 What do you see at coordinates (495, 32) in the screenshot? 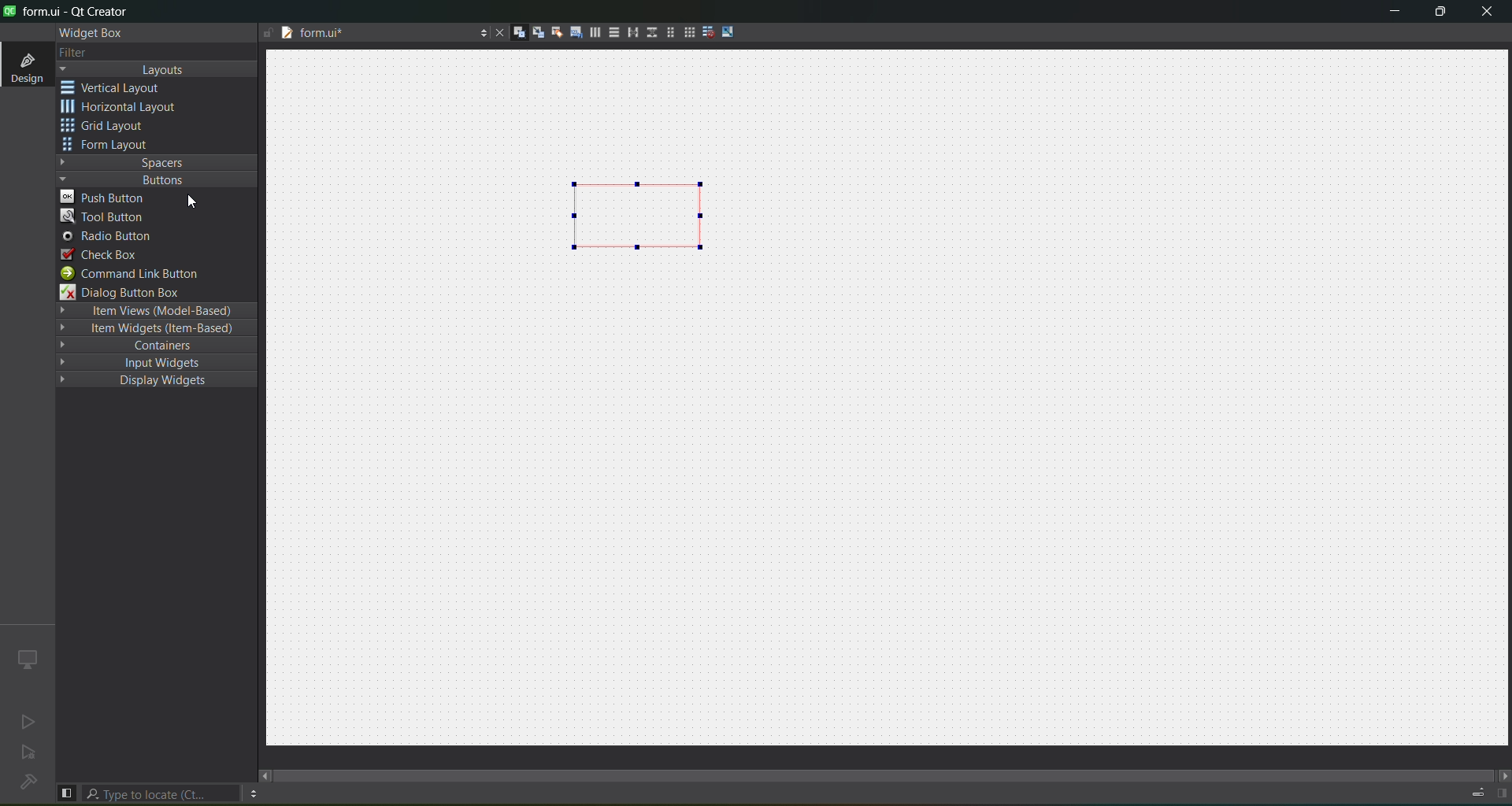
I see `close tab` at bounding box center [495, 32].